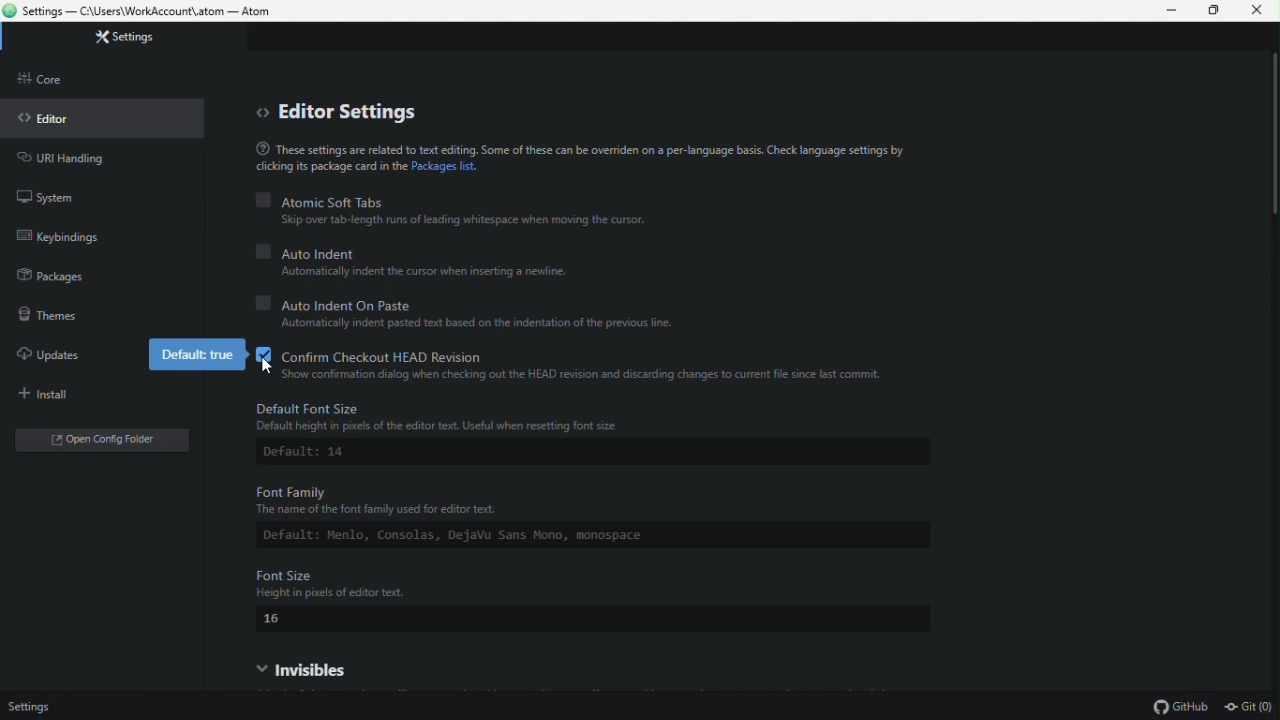 This screenshot has height=720, width=1280. What do you see at coordinates (569, 353) in the screenshot?
I see `Confirm checkout head Revision` at bounding box center [569, 353].